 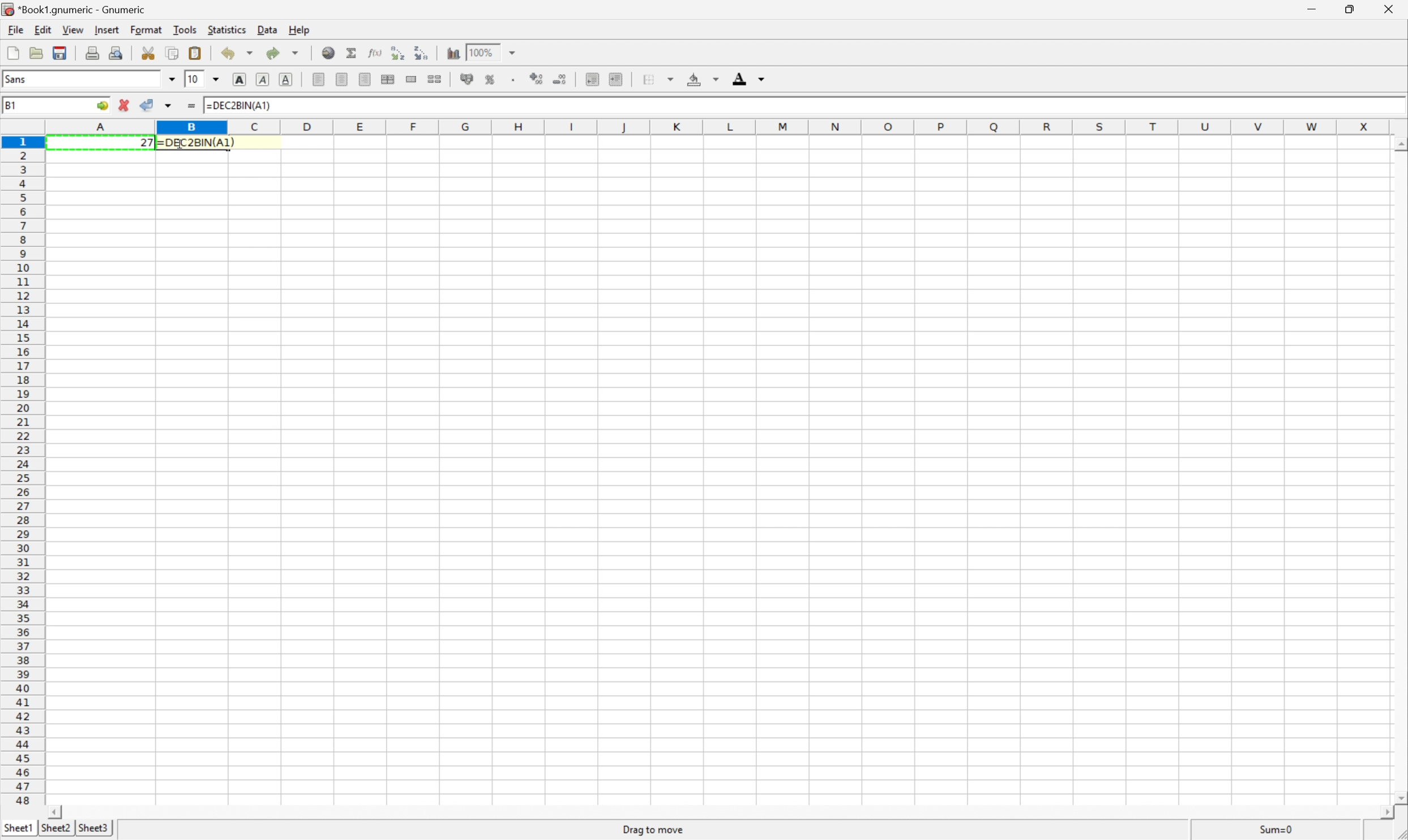 What do you see at coordinates (95, 52) in the screenshot?
I see `Print current file` at bounding box center [95, 52].